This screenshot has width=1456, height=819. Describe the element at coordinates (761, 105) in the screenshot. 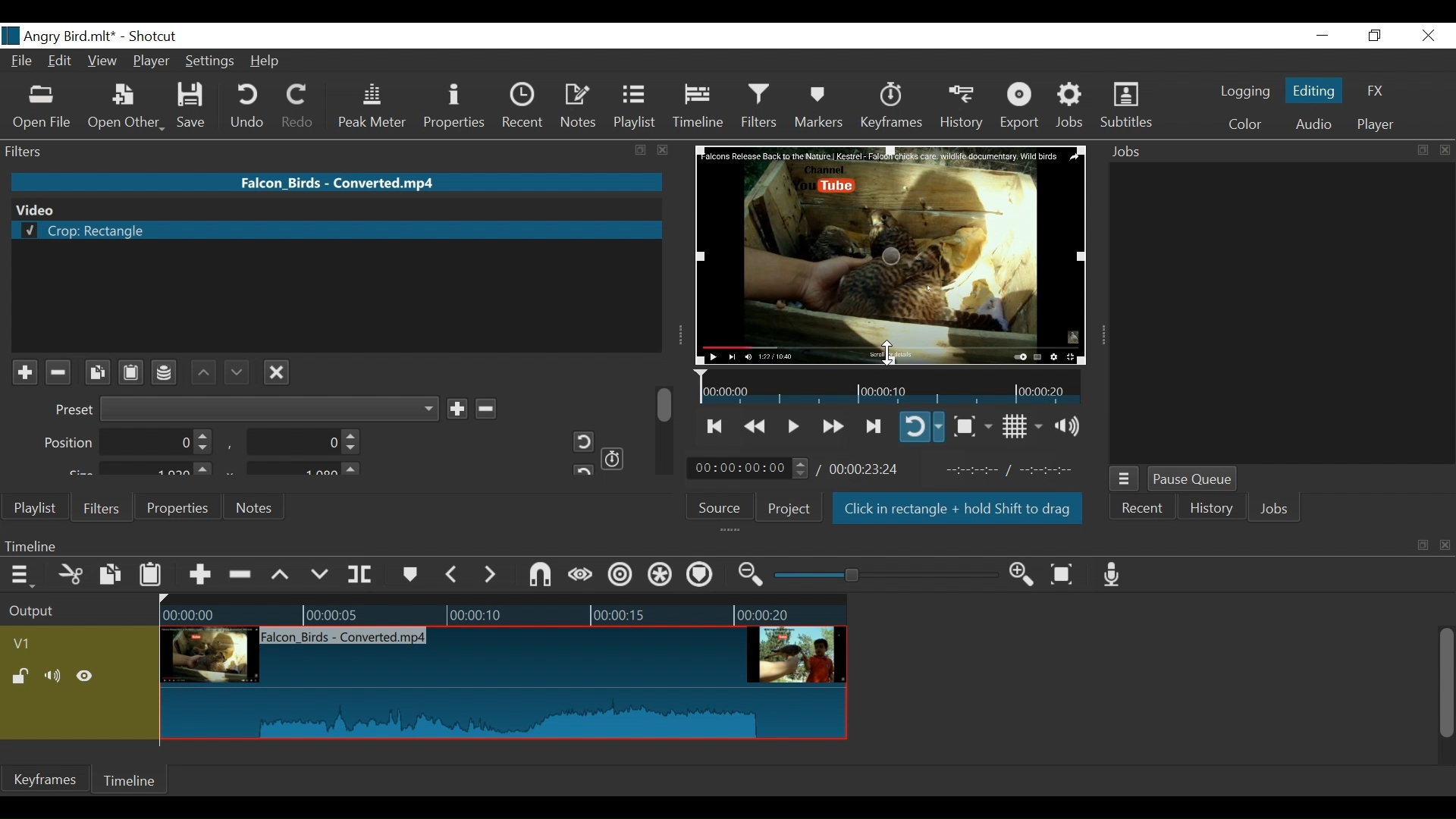

I see `Filters` at that location.